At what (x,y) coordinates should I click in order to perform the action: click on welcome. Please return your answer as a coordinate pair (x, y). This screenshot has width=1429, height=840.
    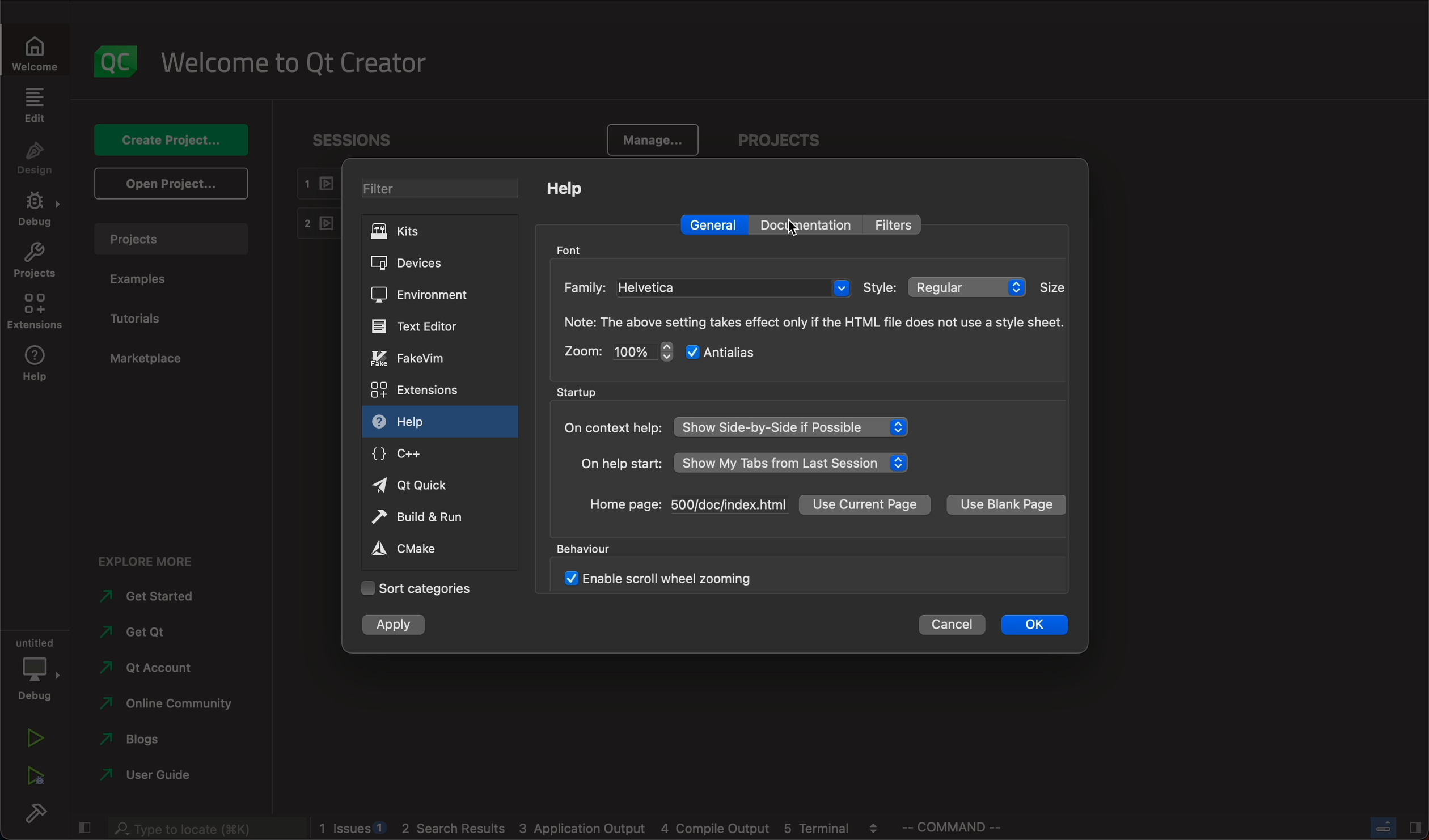
    Looking at the image, I should click on (294, 63).